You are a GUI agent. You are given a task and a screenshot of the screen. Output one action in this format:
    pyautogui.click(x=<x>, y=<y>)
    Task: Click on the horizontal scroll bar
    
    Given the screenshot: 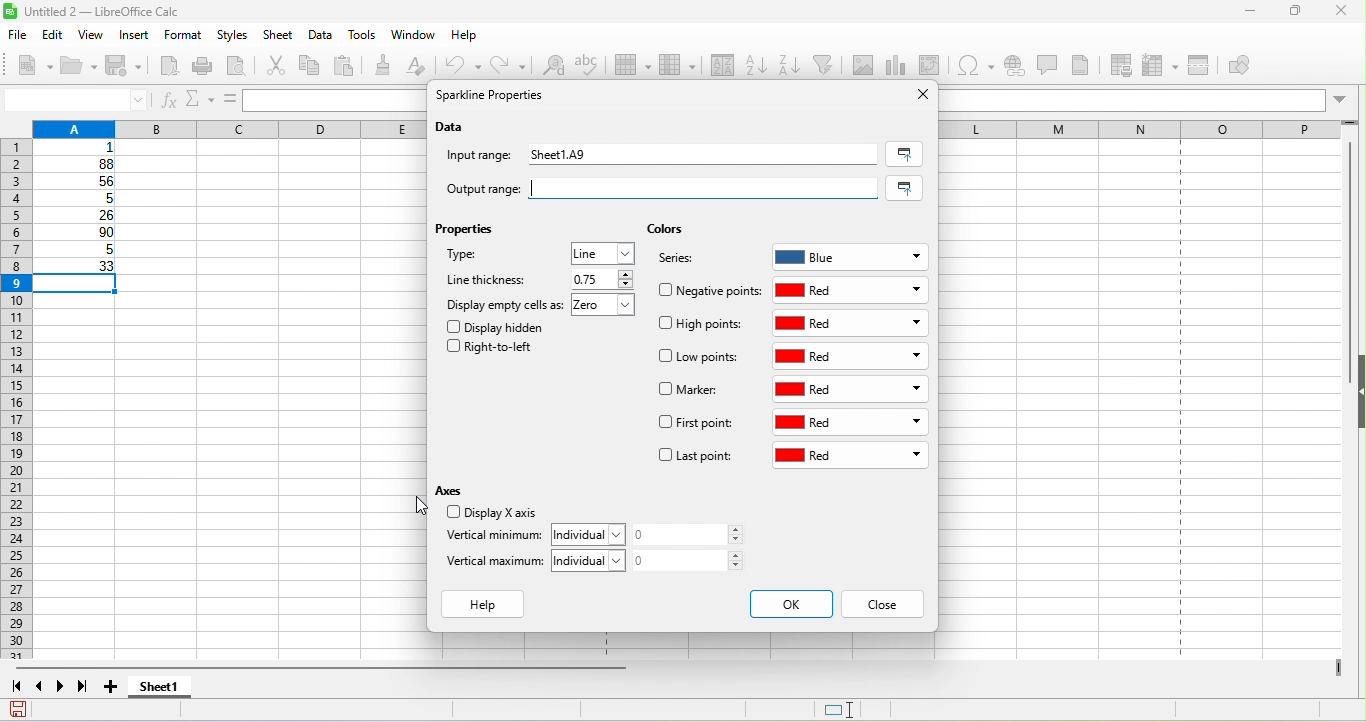 What is the action you would take?
    pyautogui.click(x=327, y=670)
    